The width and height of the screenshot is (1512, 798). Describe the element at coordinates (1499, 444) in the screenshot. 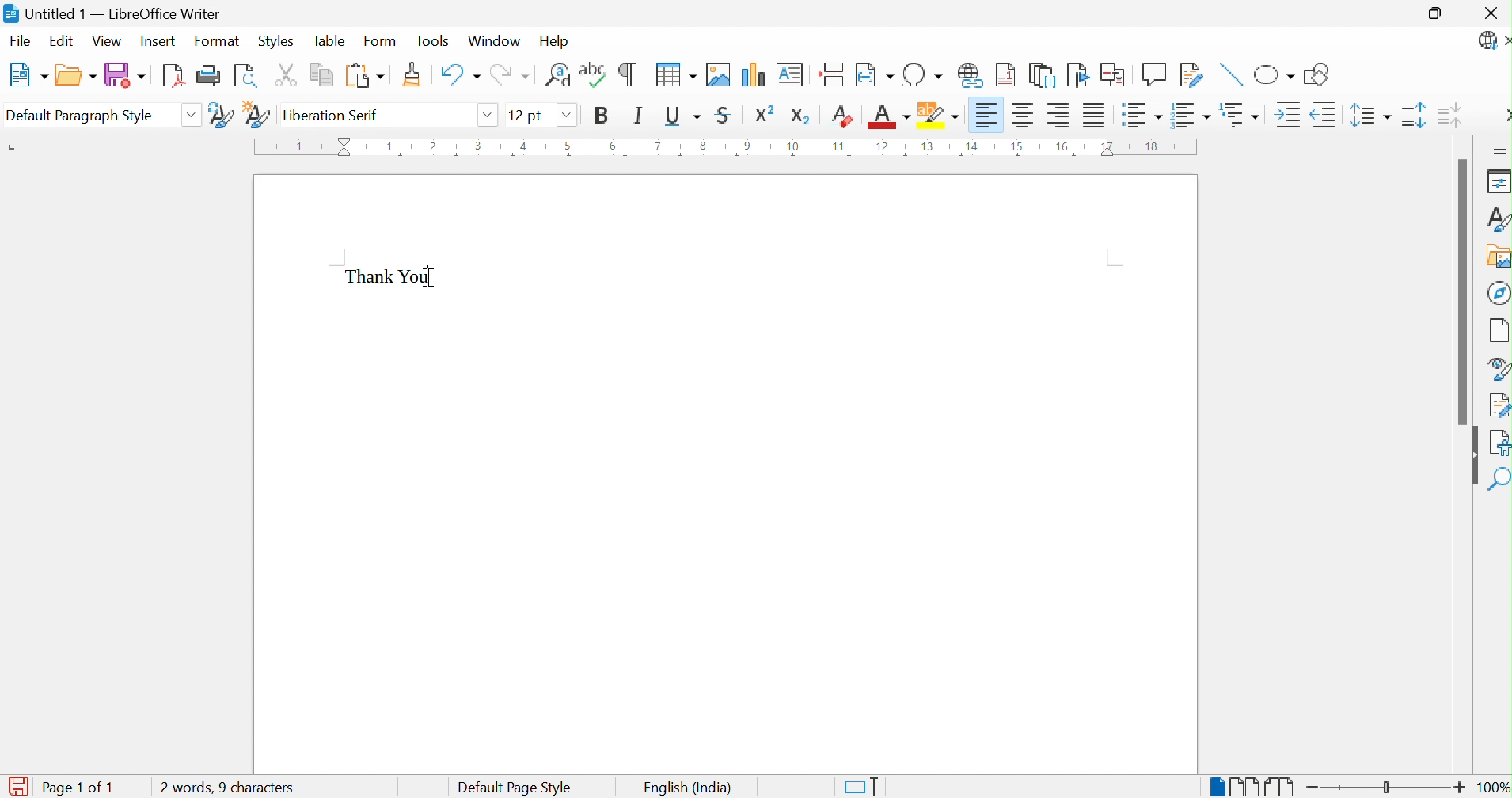

I see `Accessibility Check` at that location.